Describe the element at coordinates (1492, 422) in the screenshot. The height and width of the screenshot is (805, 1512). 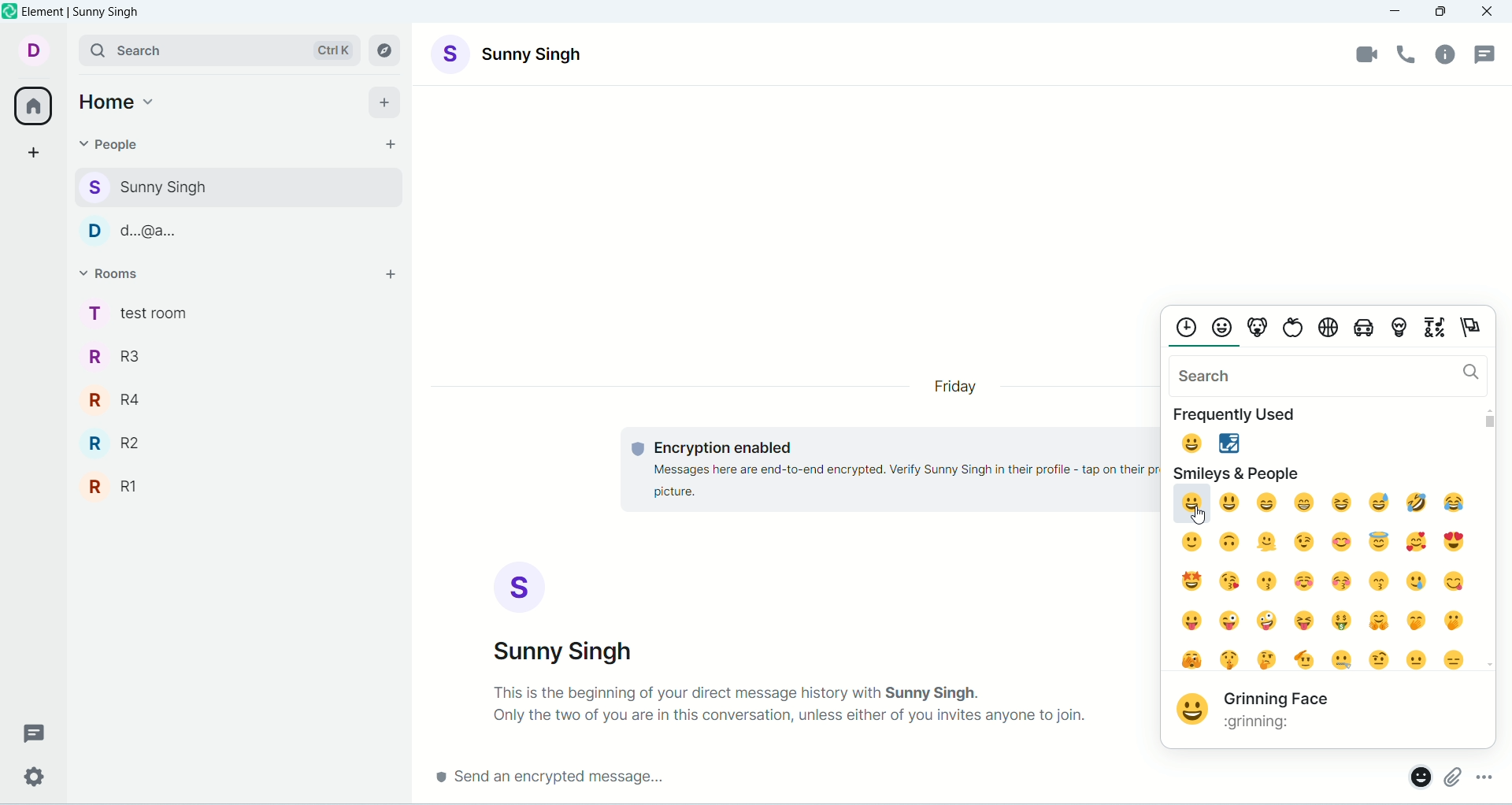
I see `scrollbar` at that location.